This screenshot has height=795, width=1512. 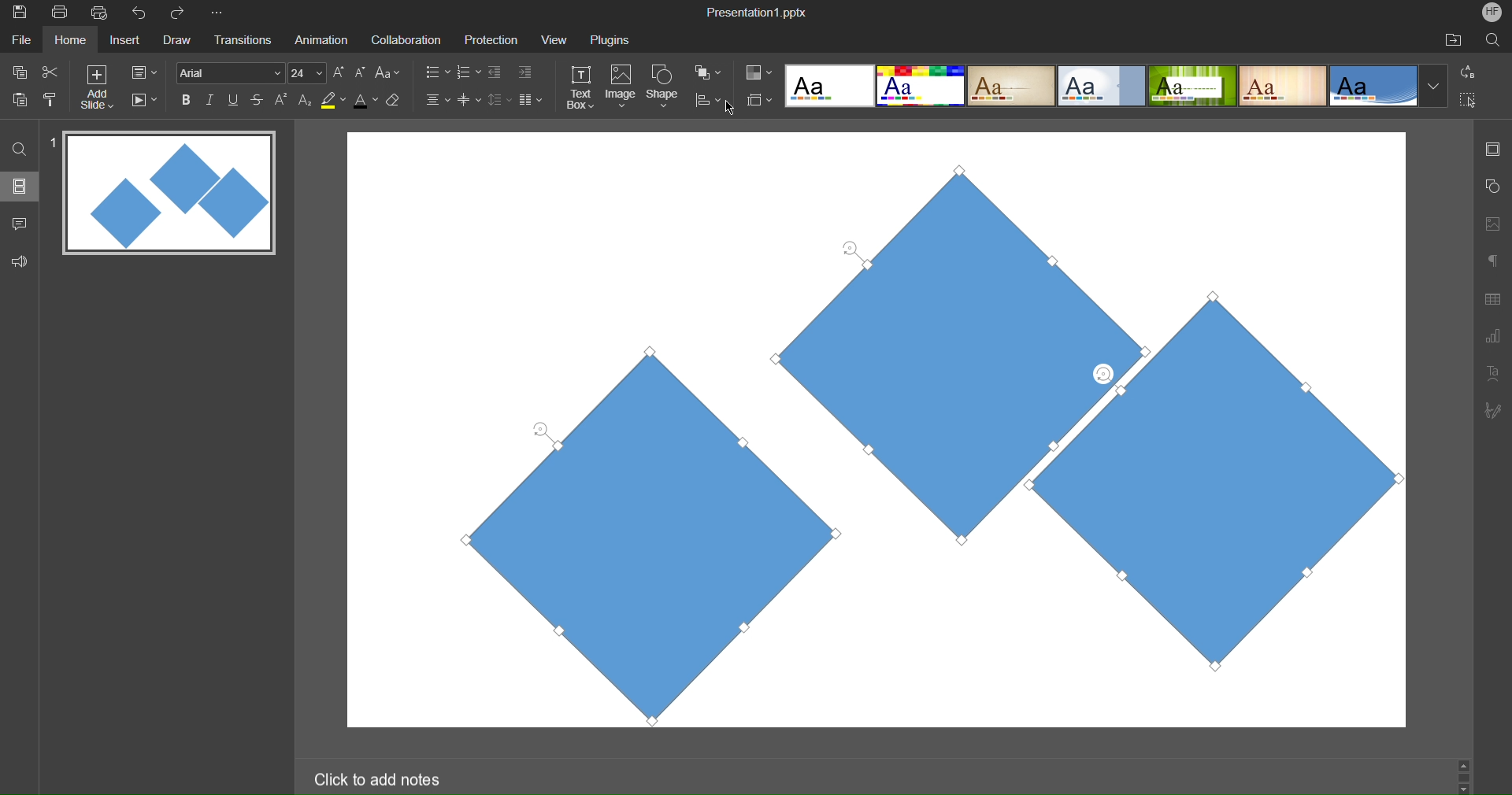 I want to click on Arrange, so click(x=709, y=72).